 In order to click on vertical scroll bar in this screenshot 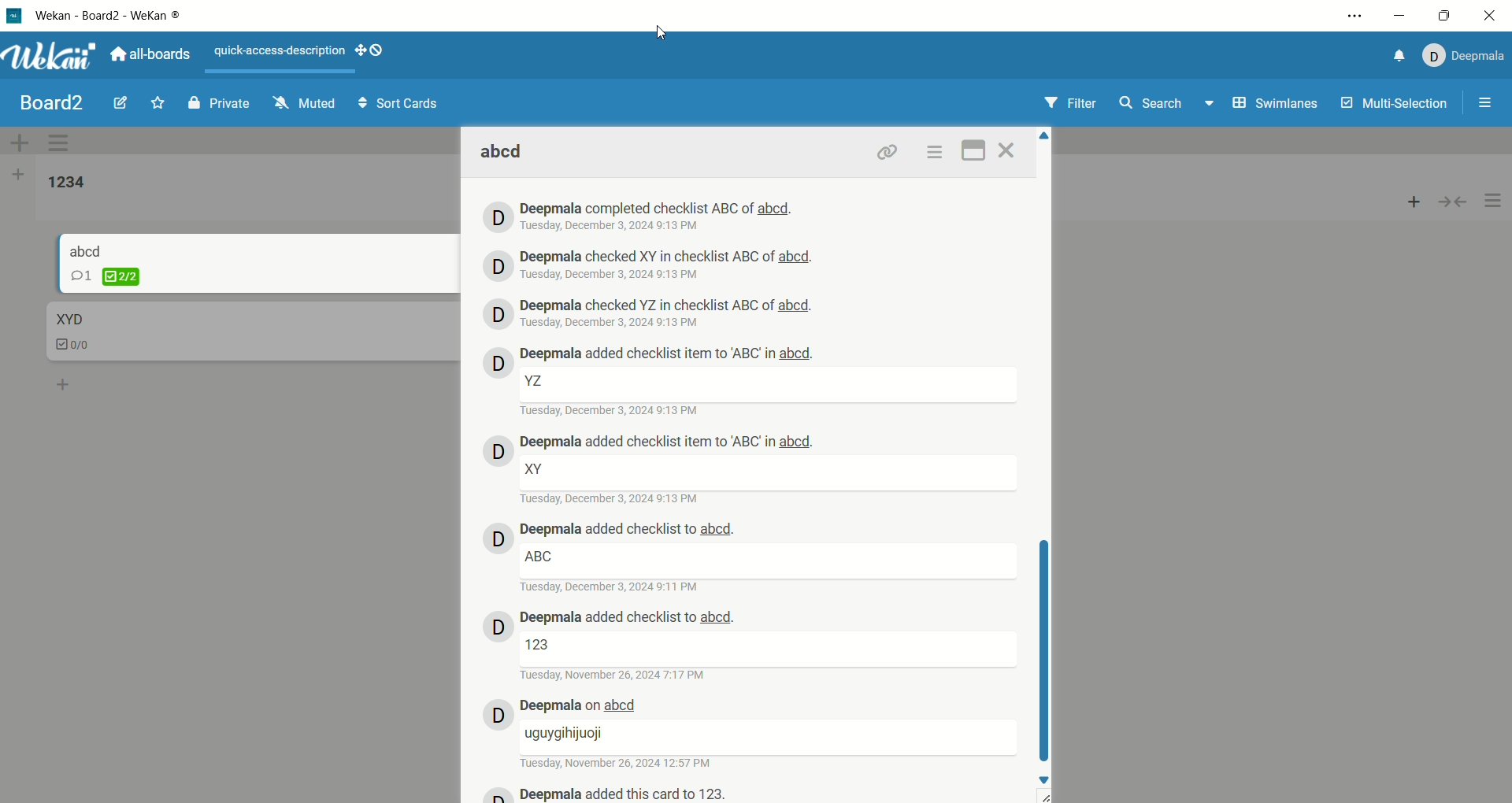, I will do `click(1046, 647)`.